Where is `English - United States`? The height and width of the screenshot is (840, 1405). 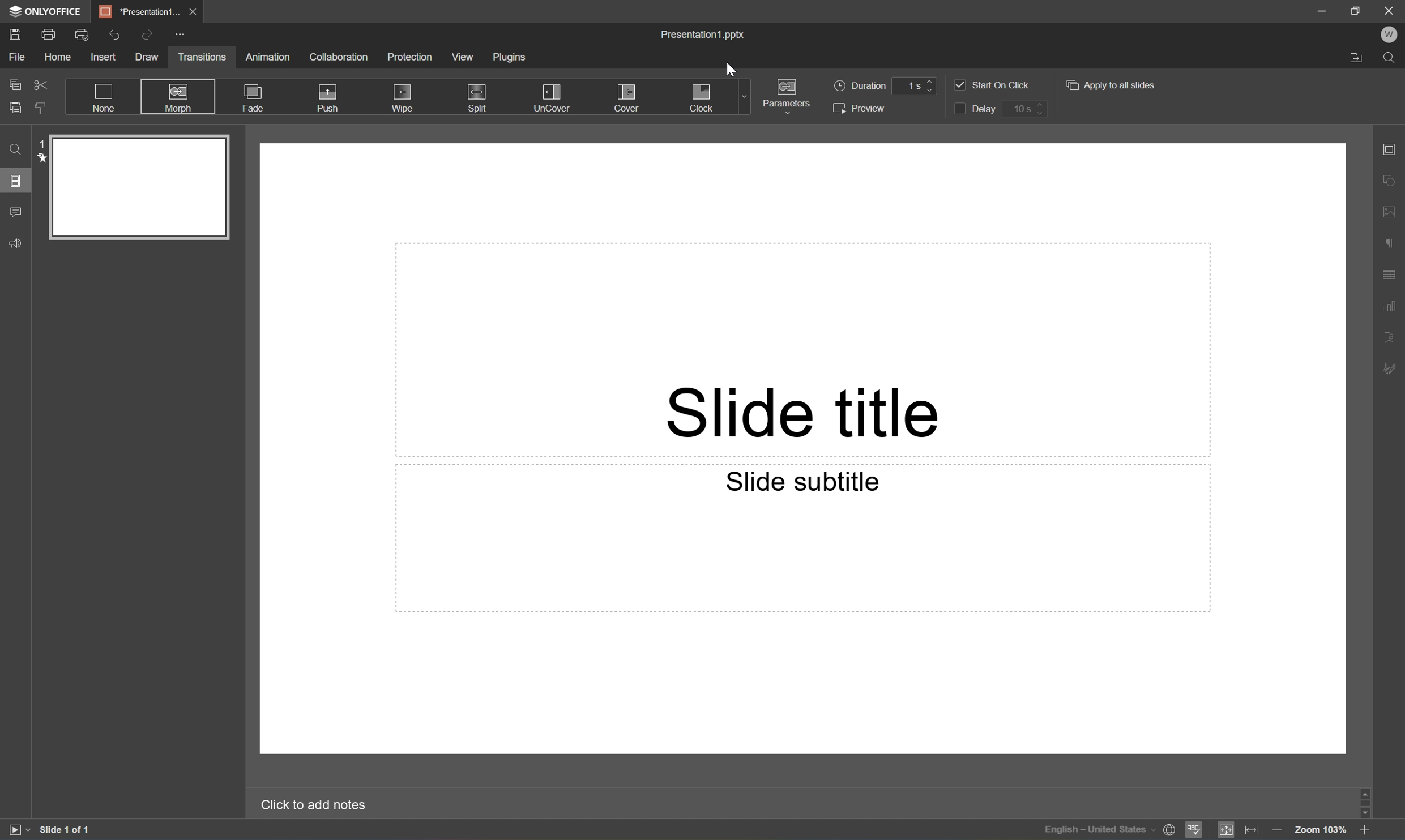
English - United States is located at coordinates (1100, 833).